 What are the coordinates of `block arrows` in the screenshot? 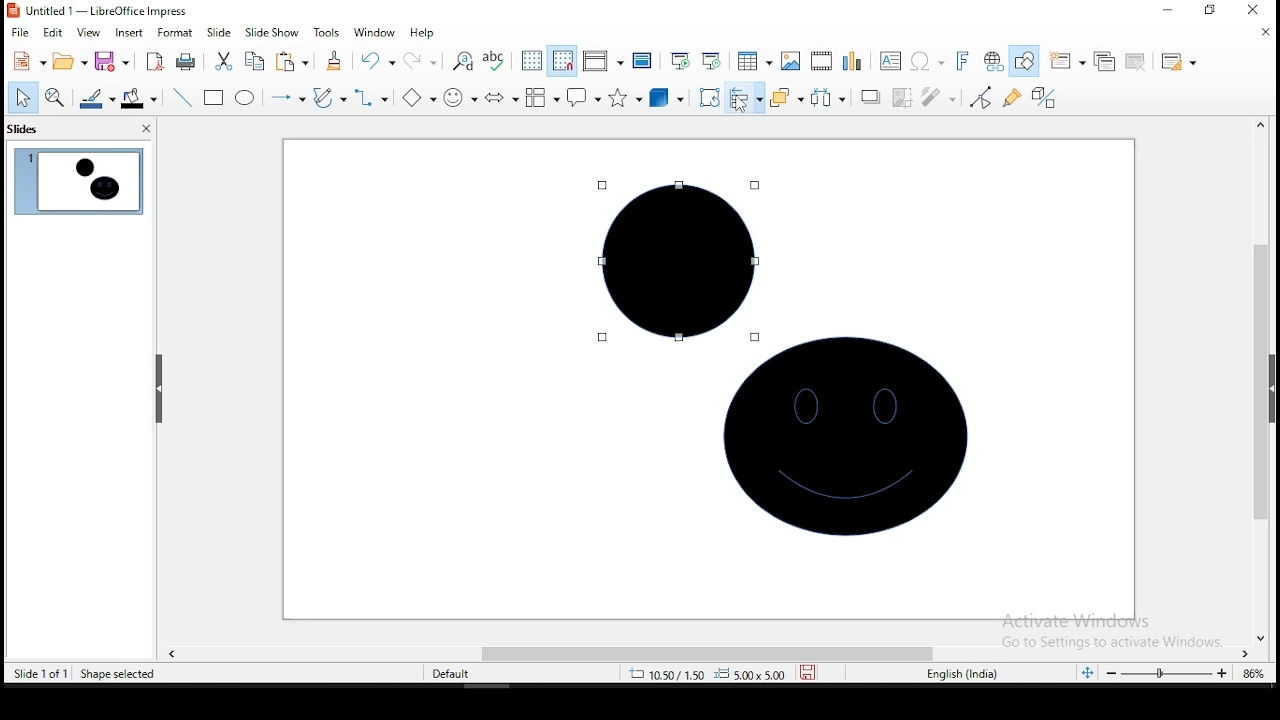 It's located at (500, 97).